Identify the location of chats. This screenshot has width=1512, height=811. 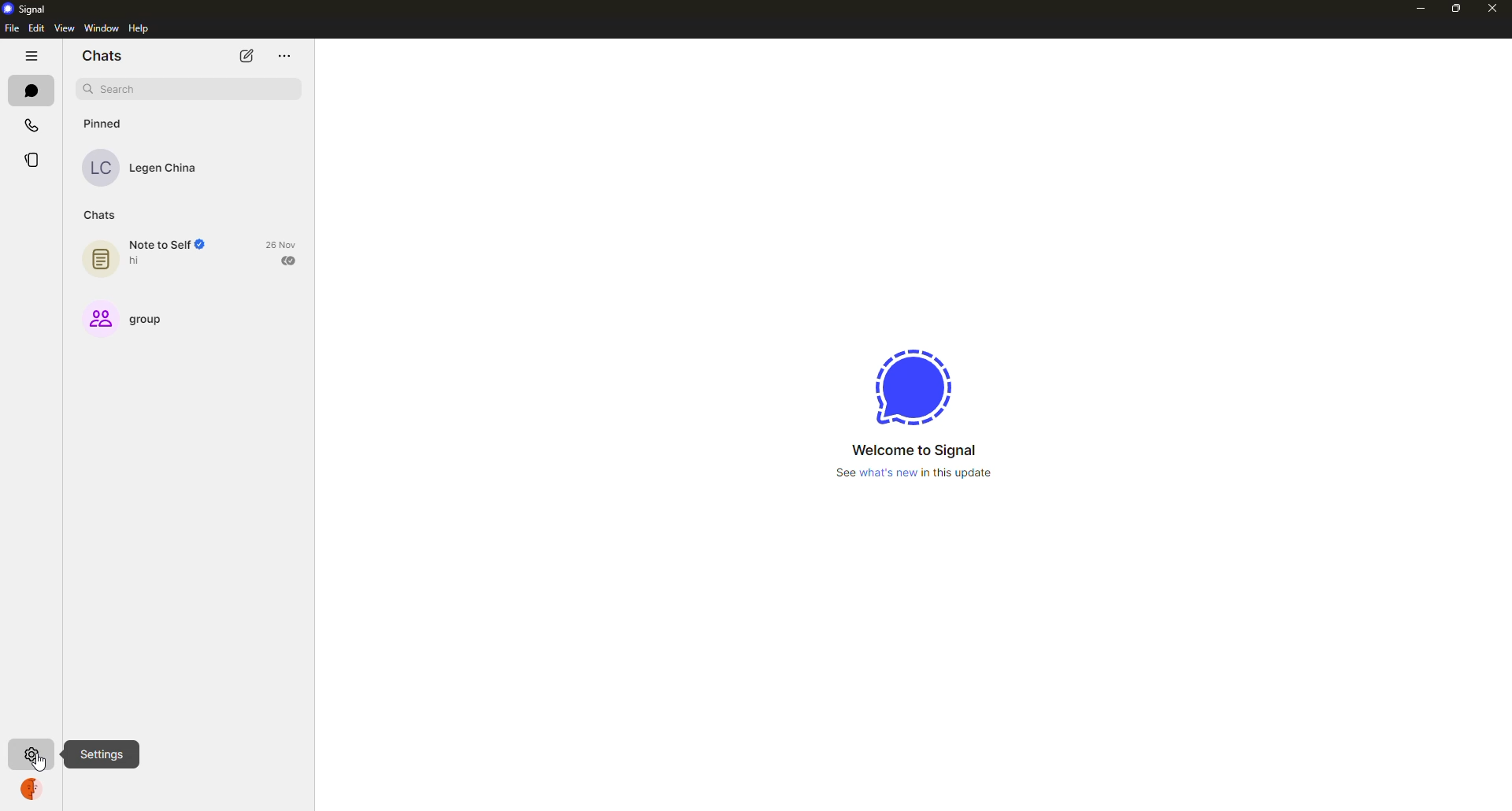
(101, 216).